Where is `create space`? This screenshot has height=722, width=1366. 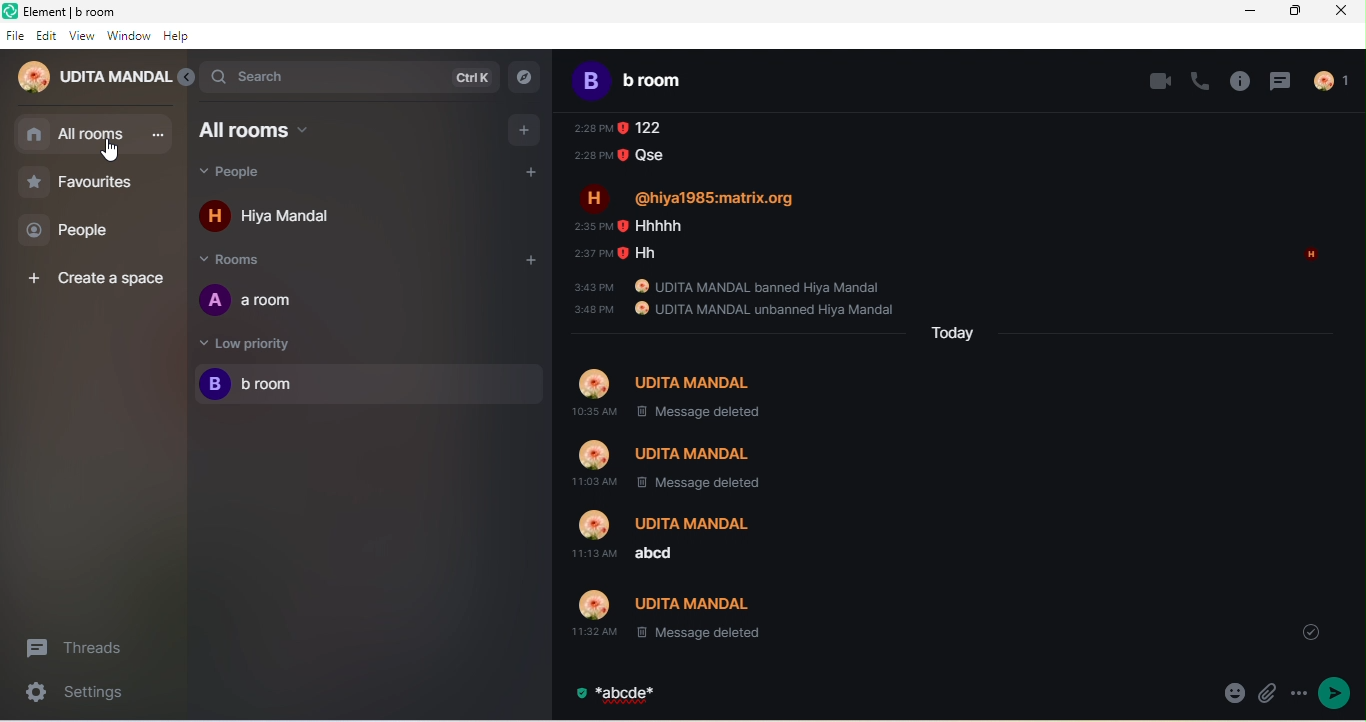 create space is located at coordinates (94, 276).